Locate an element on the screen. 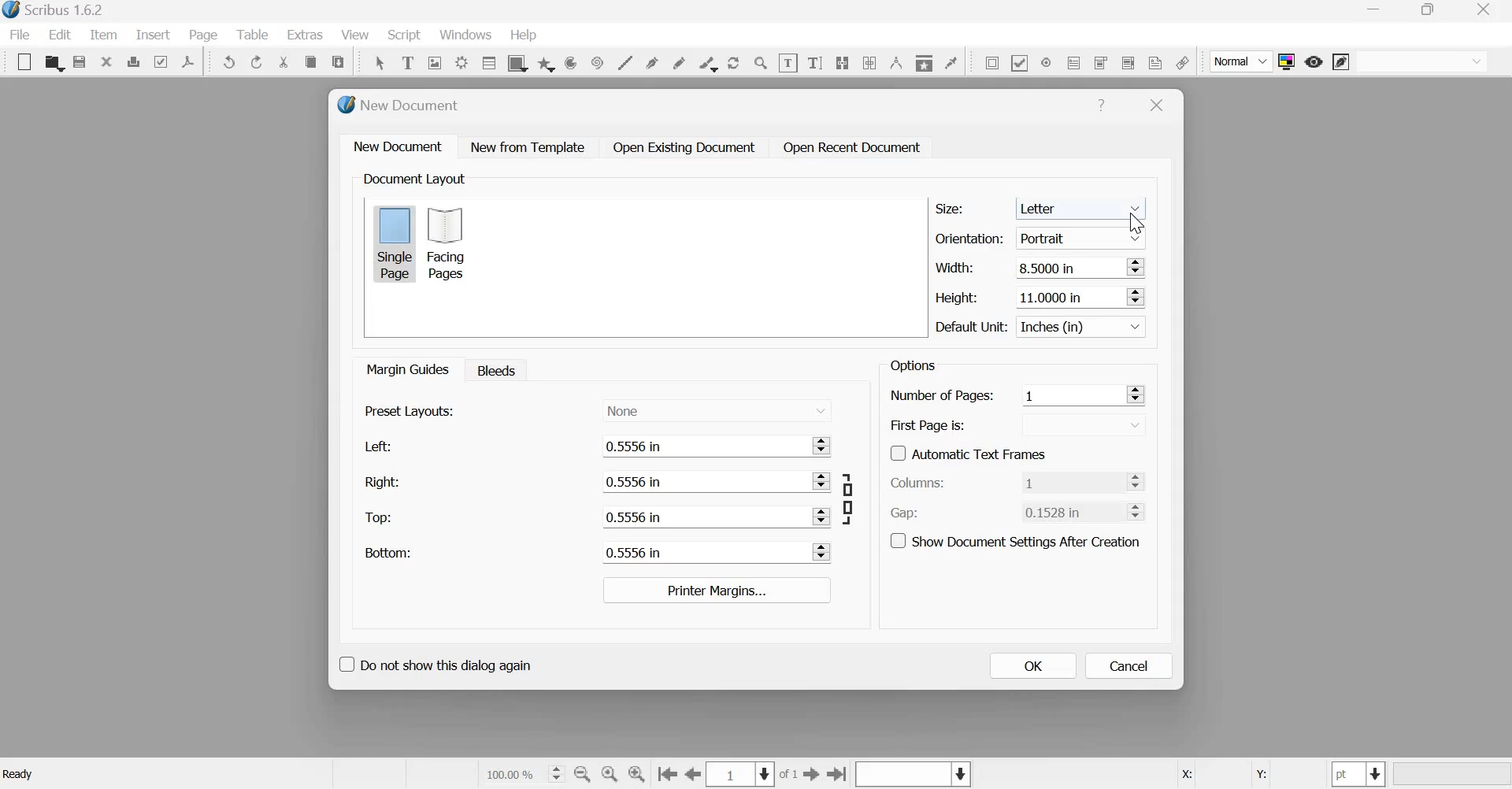 This screenshot has width=1512, height=789. Default Unit:  is located at coordinates (972, 328).